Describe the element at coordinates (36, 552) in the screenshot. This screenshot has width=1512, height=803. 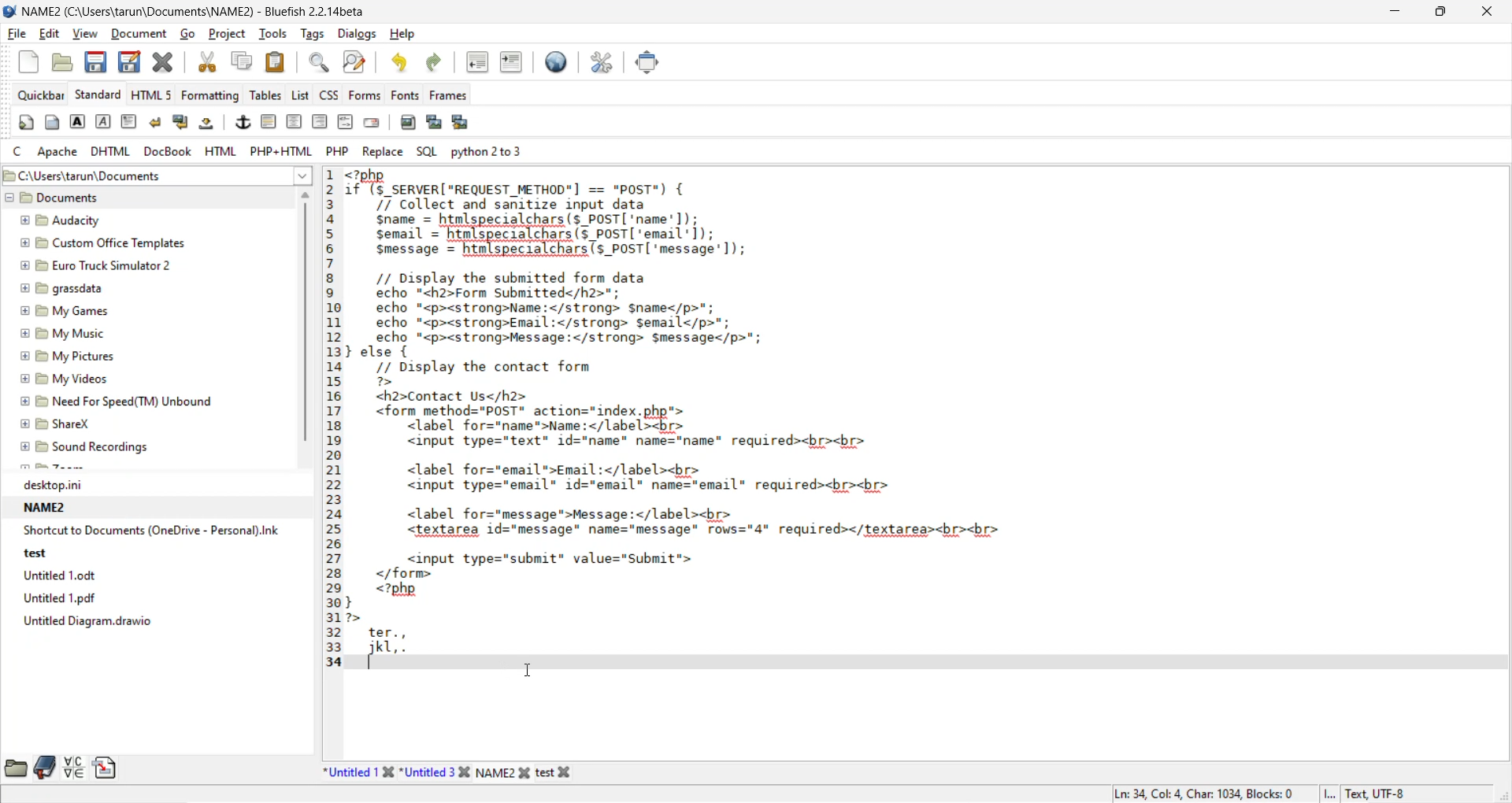
I see `test` at that location.